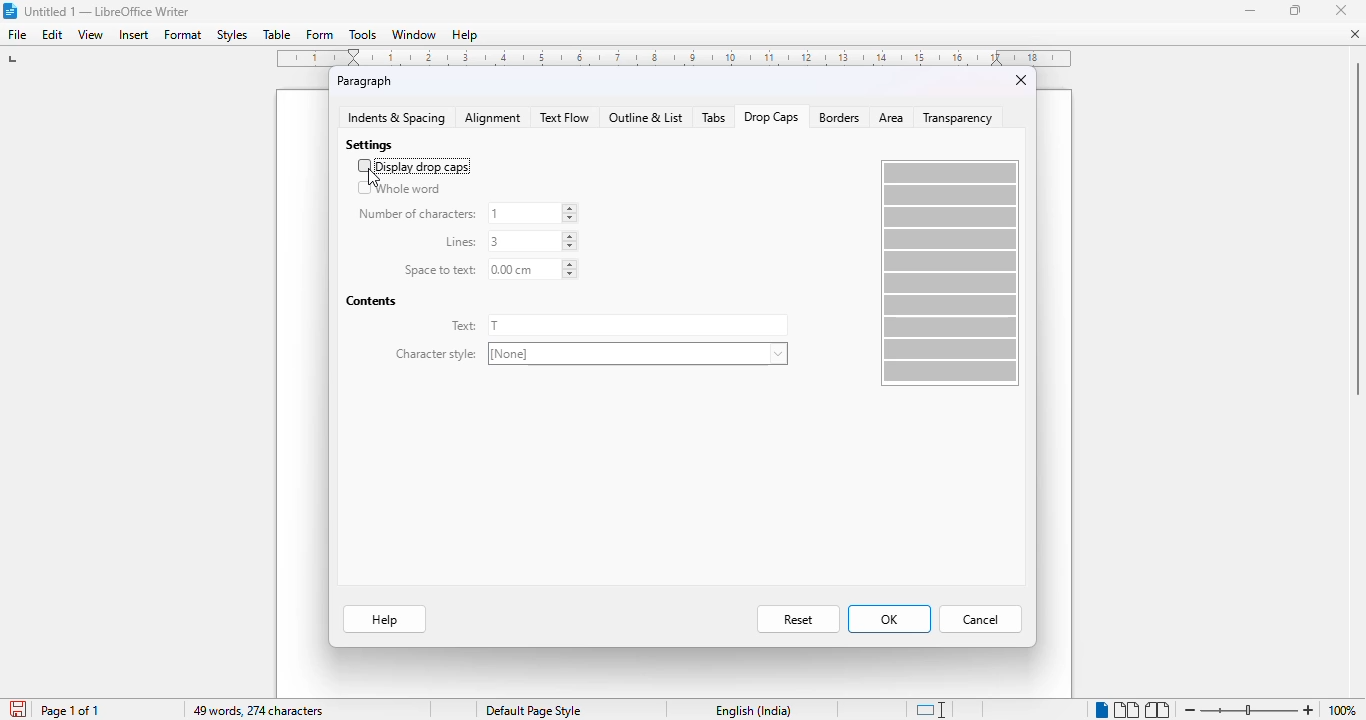 This screenshot has height=720, width=1366. I want to click on zoom out, so click(1186, 710).